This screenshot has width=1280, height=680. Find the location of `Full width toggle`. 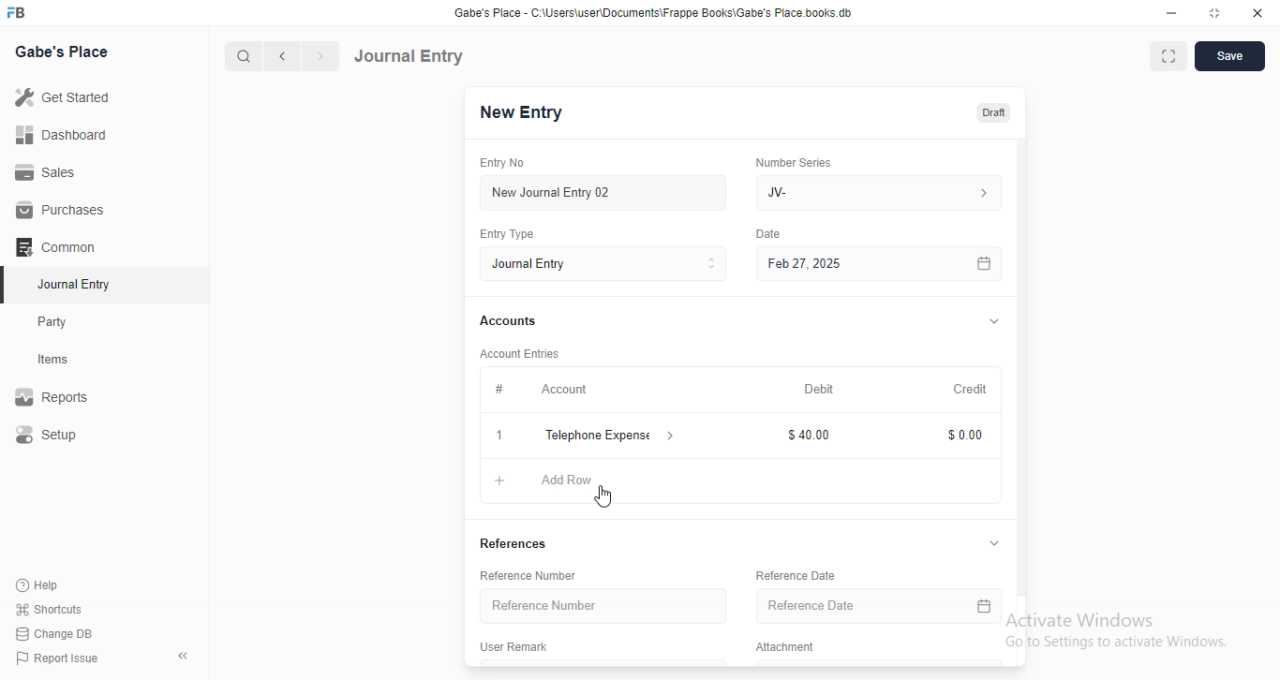

Full width toggle is located at coordinates (1171, 56).